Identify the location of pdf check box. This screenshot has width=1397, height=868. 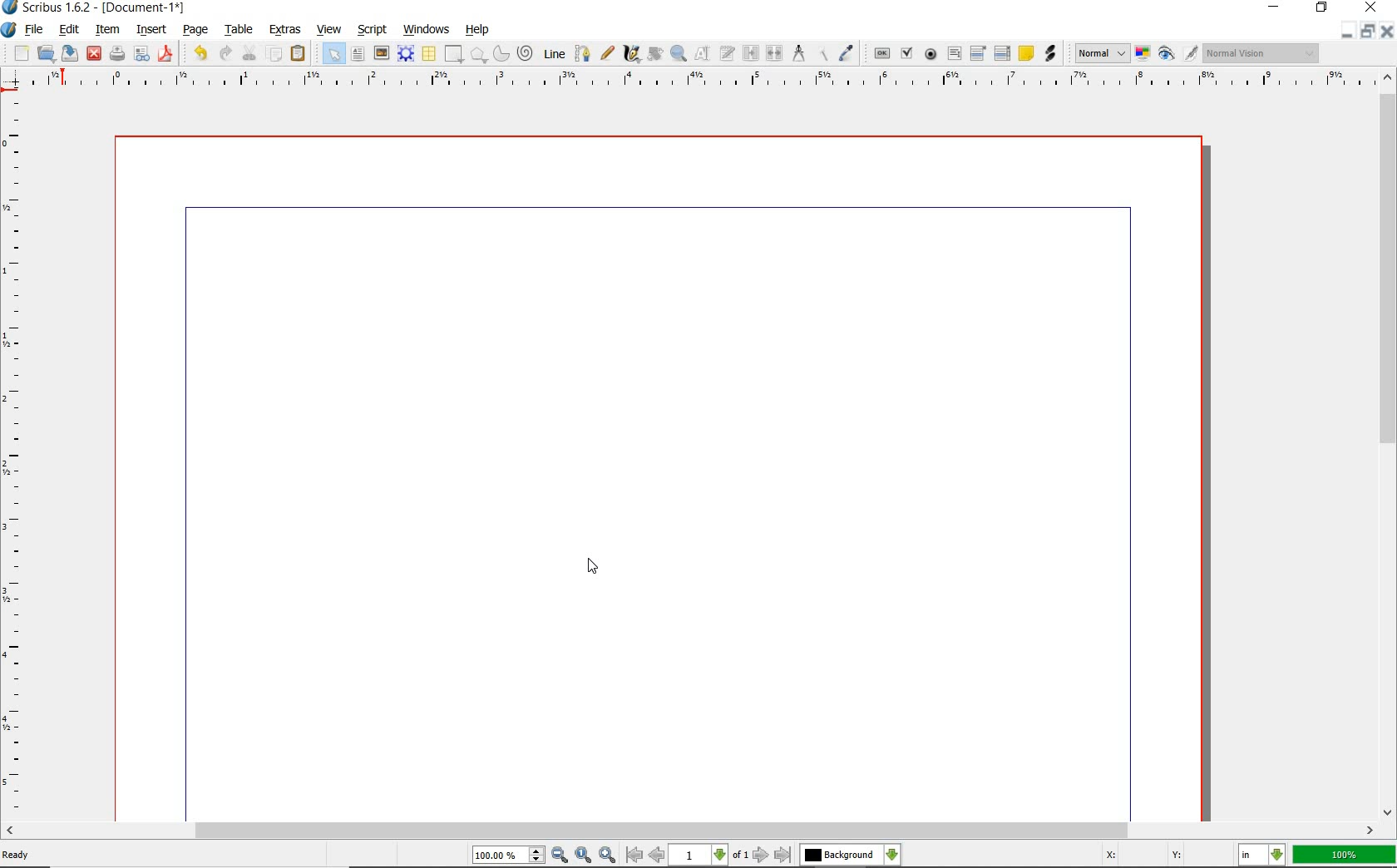
(906, 53).